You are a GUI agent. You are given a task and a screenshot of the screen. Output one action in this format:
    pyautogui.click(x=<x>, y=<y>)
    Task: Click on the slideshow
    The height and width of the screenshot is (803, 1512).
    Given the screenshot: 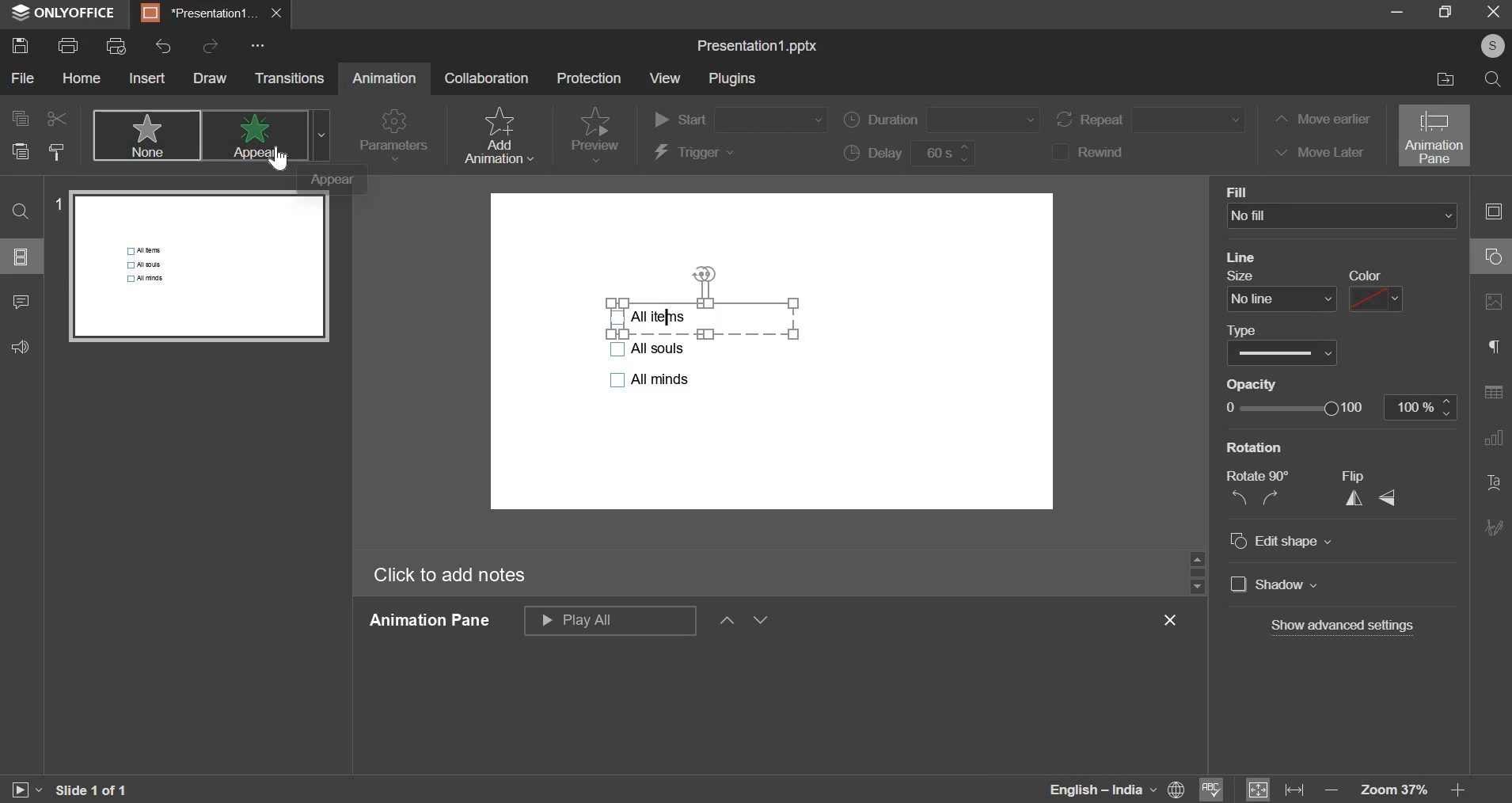 What is the action you would take?
    pyautogui.click(x=25, y=788)
    